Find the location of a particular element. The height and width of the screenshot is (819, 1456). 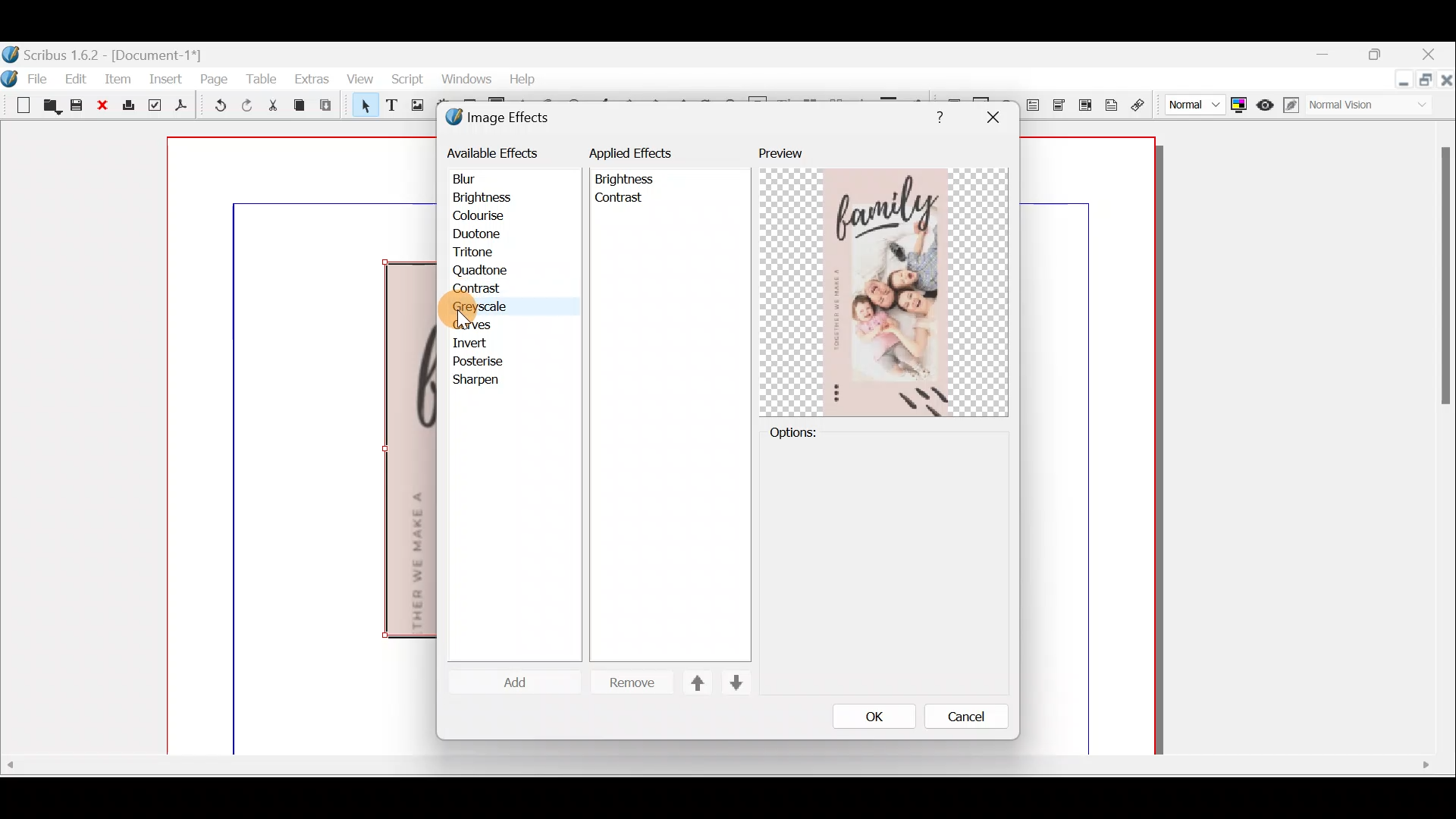

Copy is located at coordinates (303, 106).